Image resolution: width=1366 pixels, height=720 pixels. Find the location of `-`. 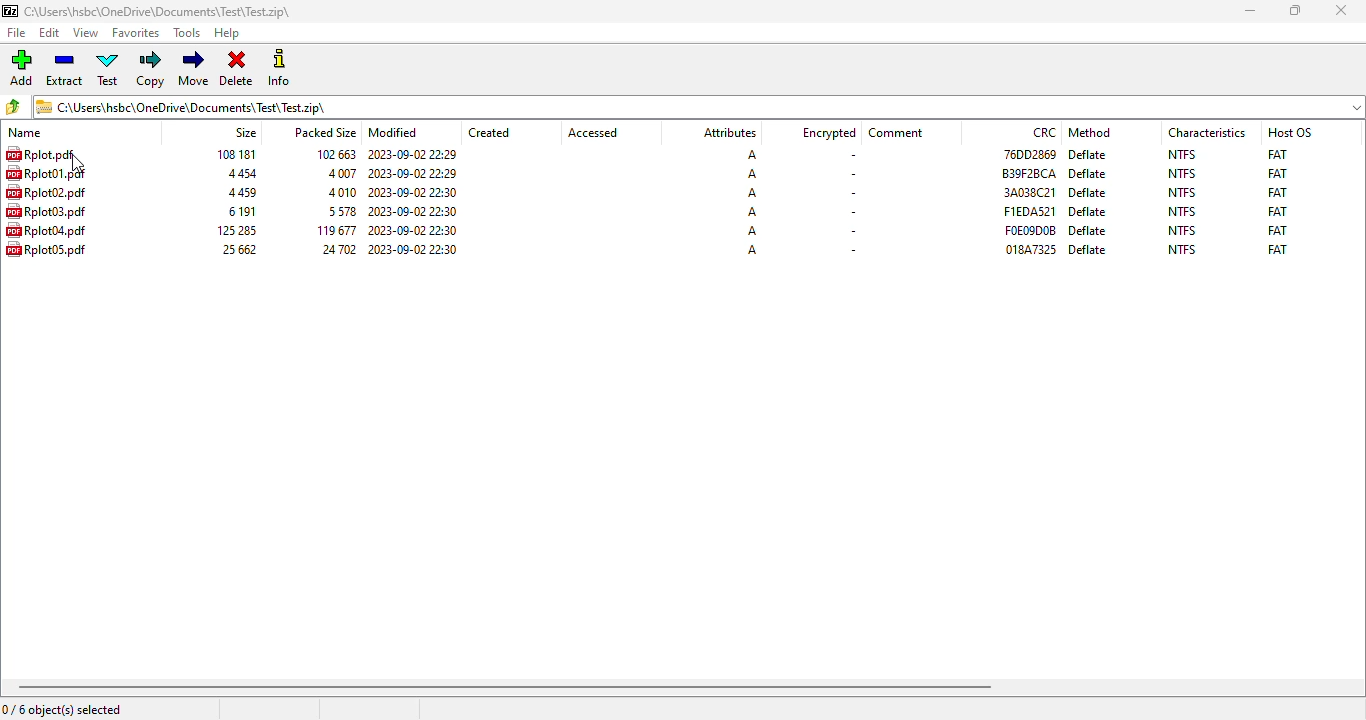

- is located at coordinates (850, 192).